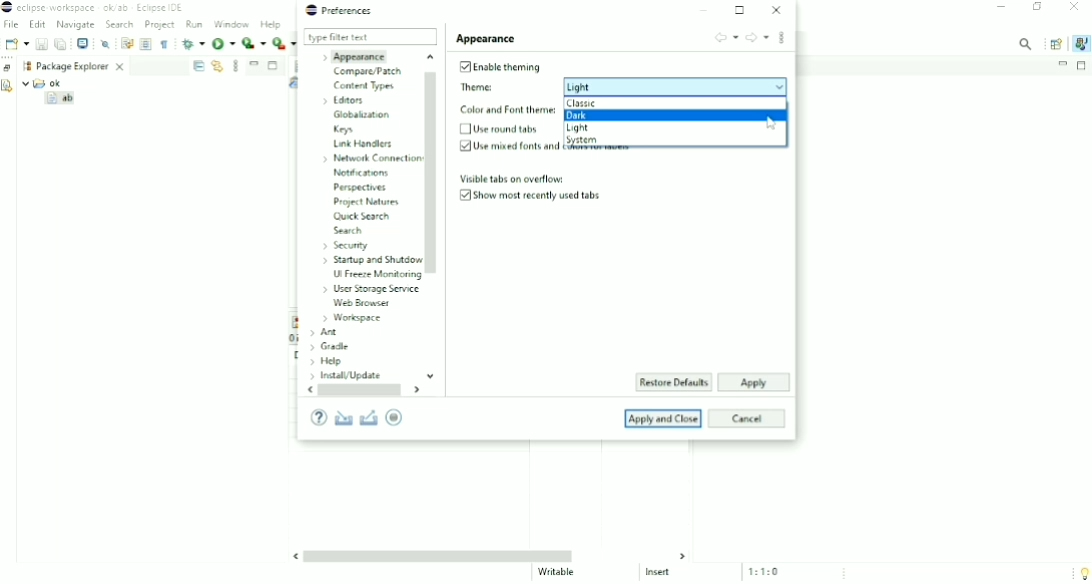 Image resolution: width=1092 pixels, height=584 pixels. What do you see at coordinates (343, 418) in the screenshot?
I see `Import` at bounding box center [343, 418].